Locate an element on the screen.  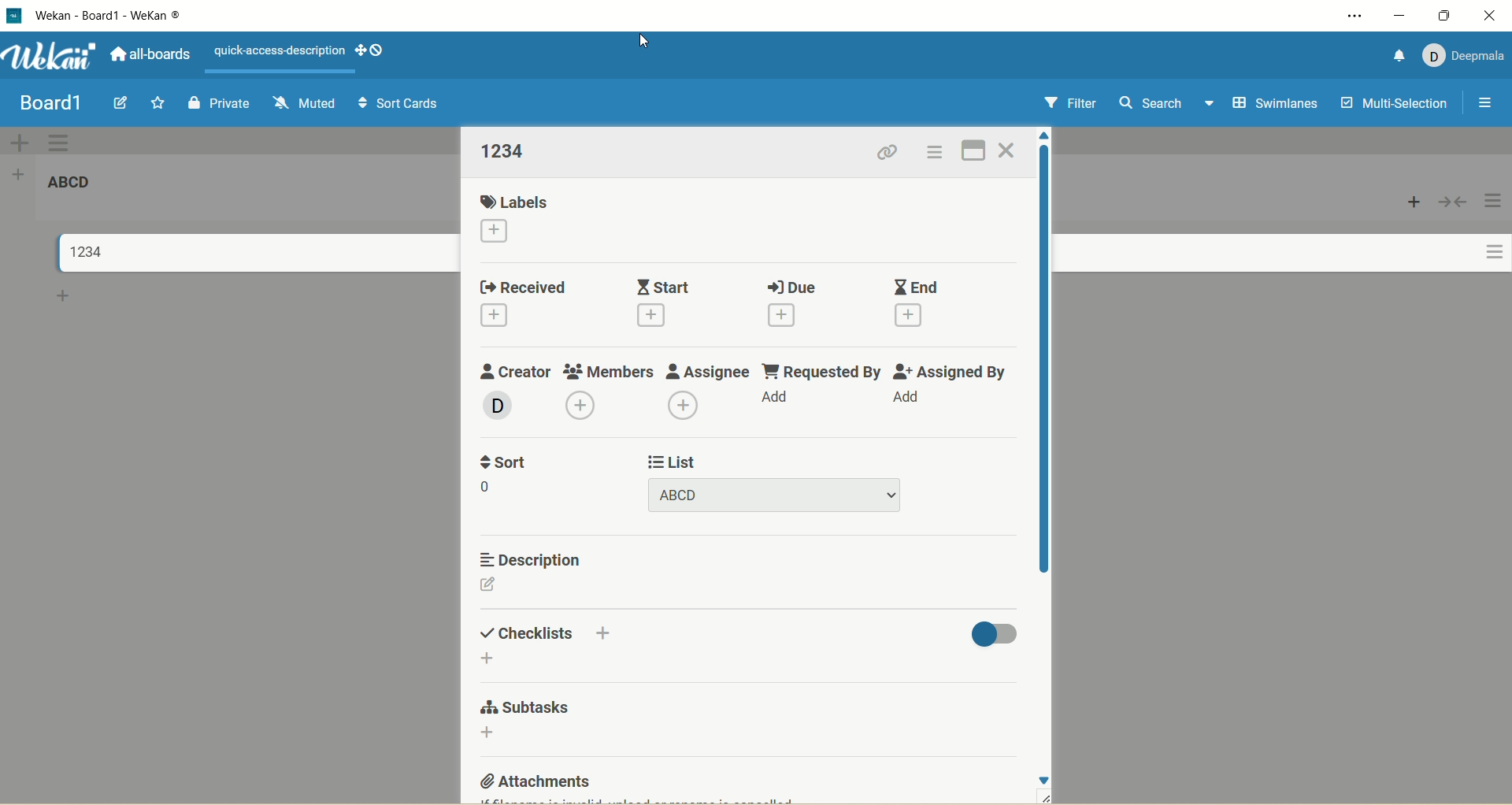
start is located at coordinates (661, 283).